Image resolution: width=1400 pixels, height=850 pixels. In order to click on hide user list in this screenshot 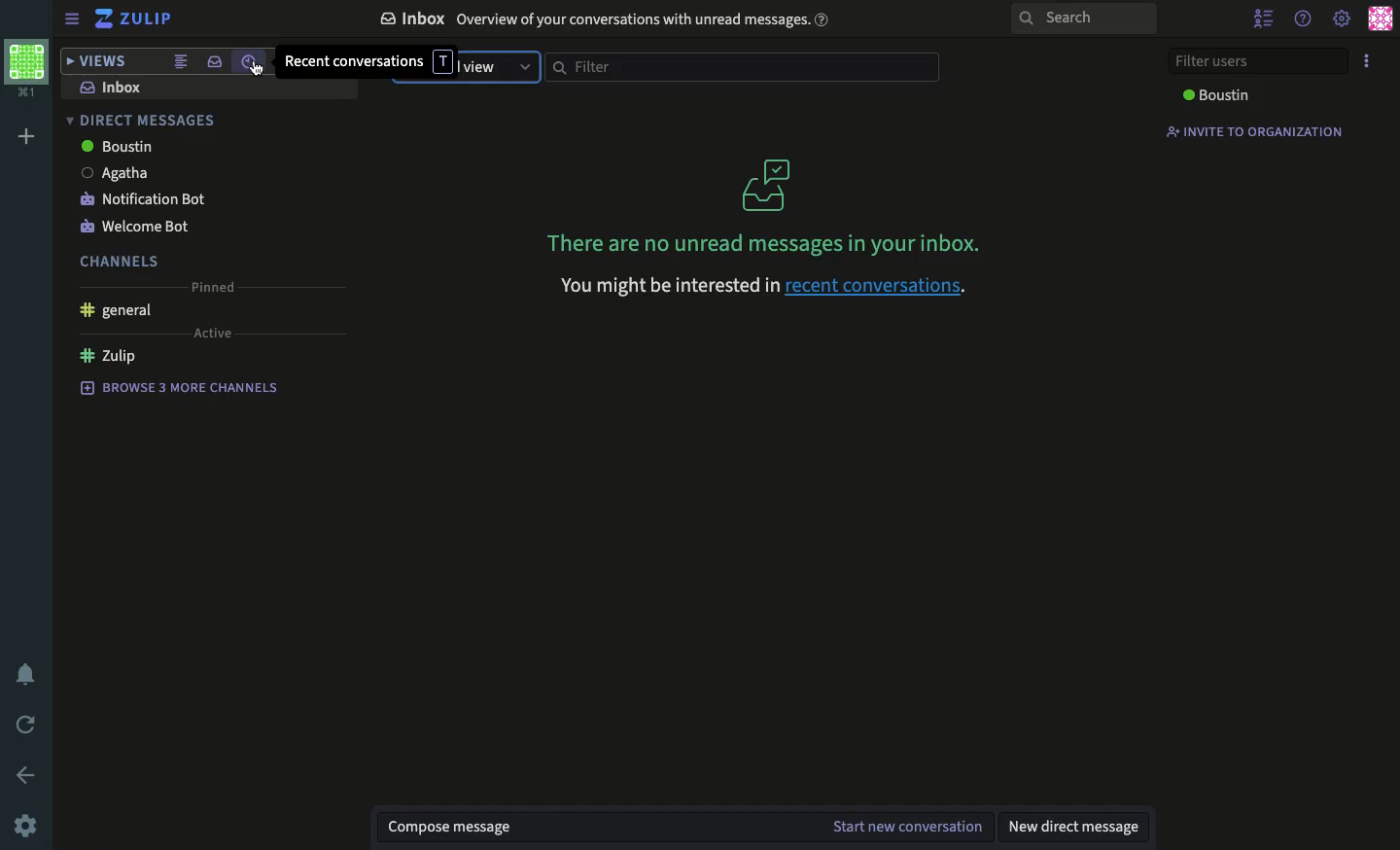, I will do `click(1259, 18)`.